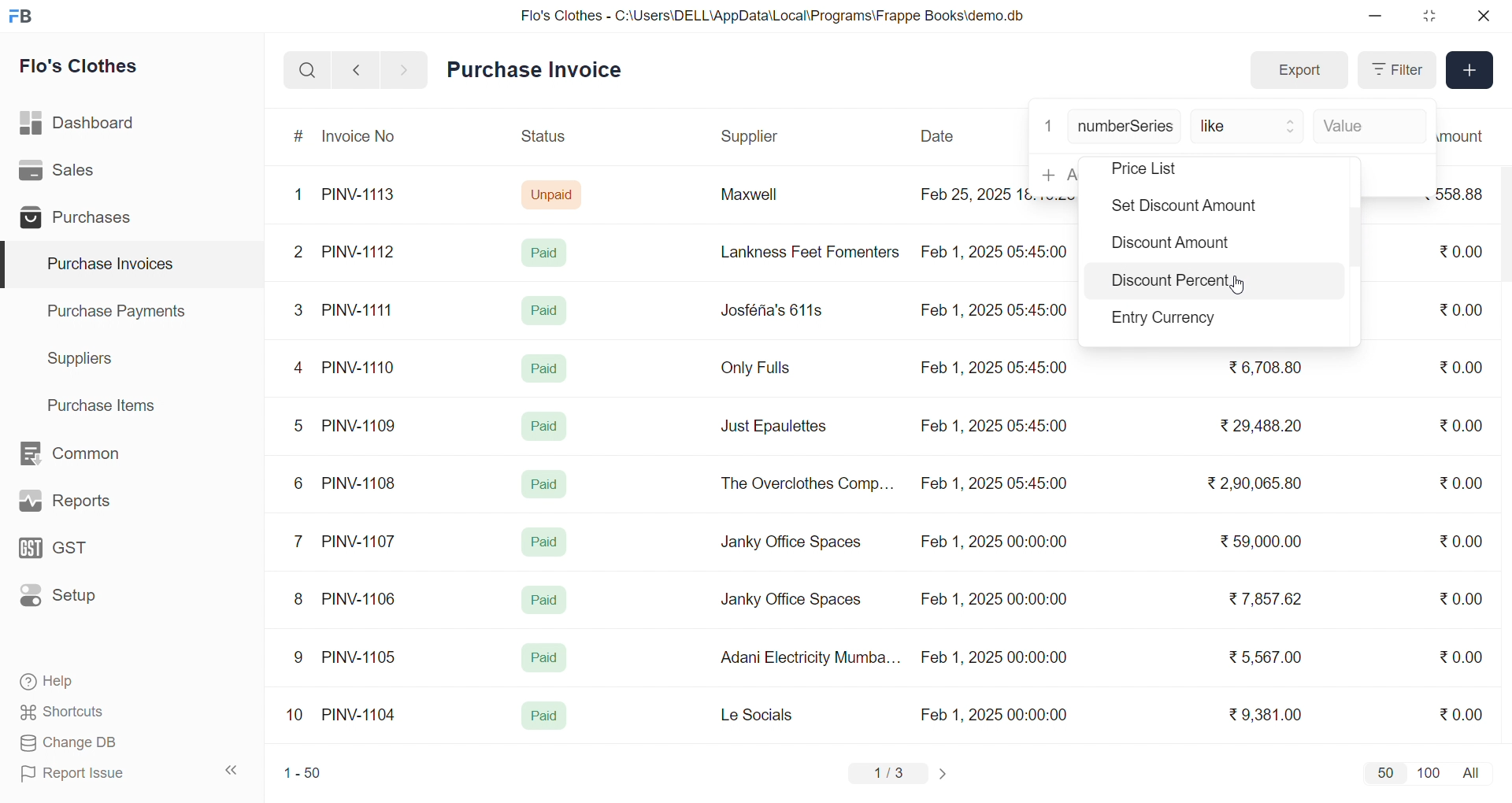 This screenshot has height=803, width=1512. What do you see at coordinates (360, 483) in the screenshot?
I see `PINV-1108` at bounding box center [360, 483].